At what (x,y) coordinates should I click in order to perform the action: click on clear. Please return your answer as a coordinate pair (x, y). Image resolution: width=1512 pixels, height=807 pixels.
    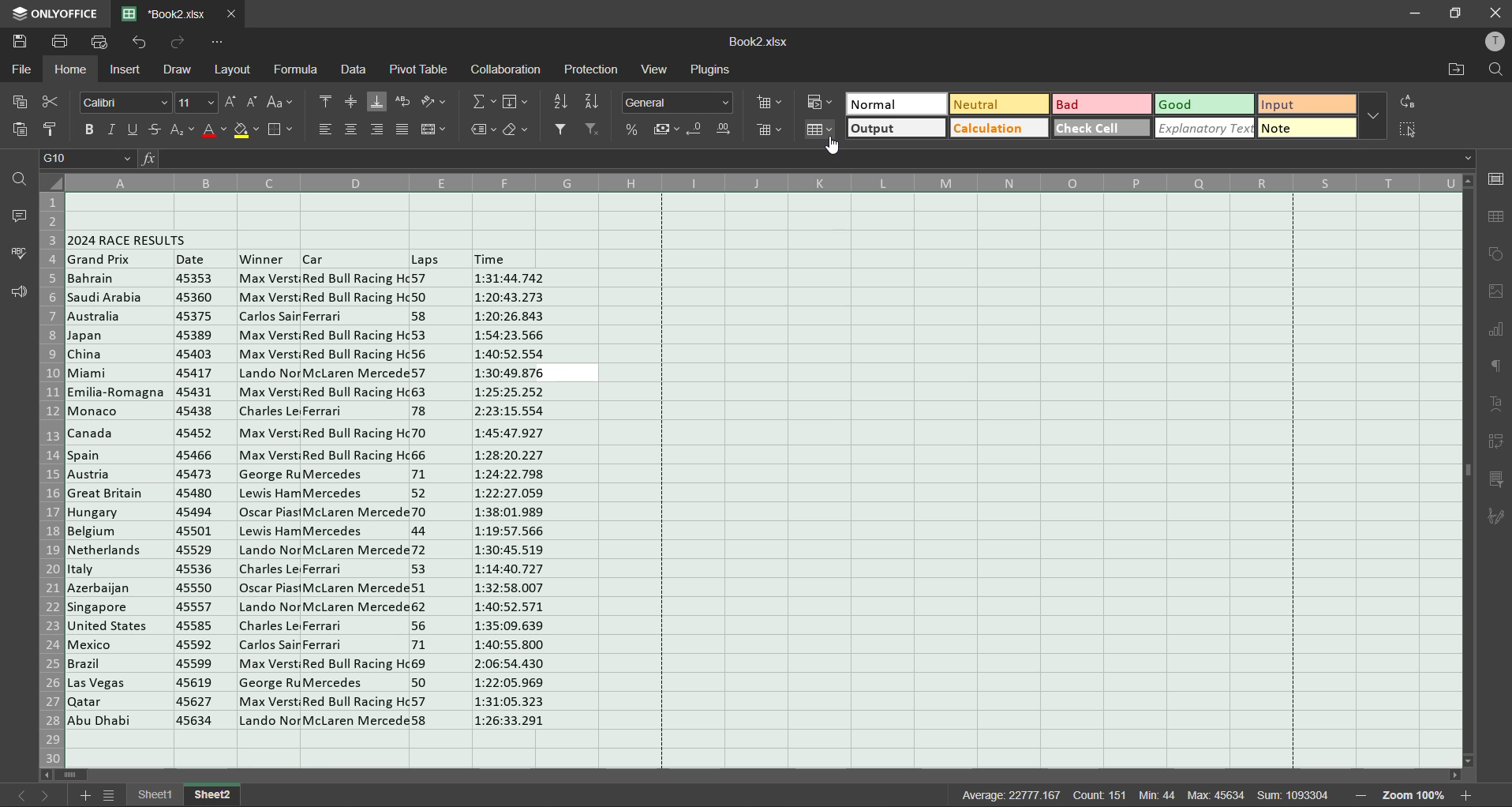
    Looking at the image, I should click on (518, 132).